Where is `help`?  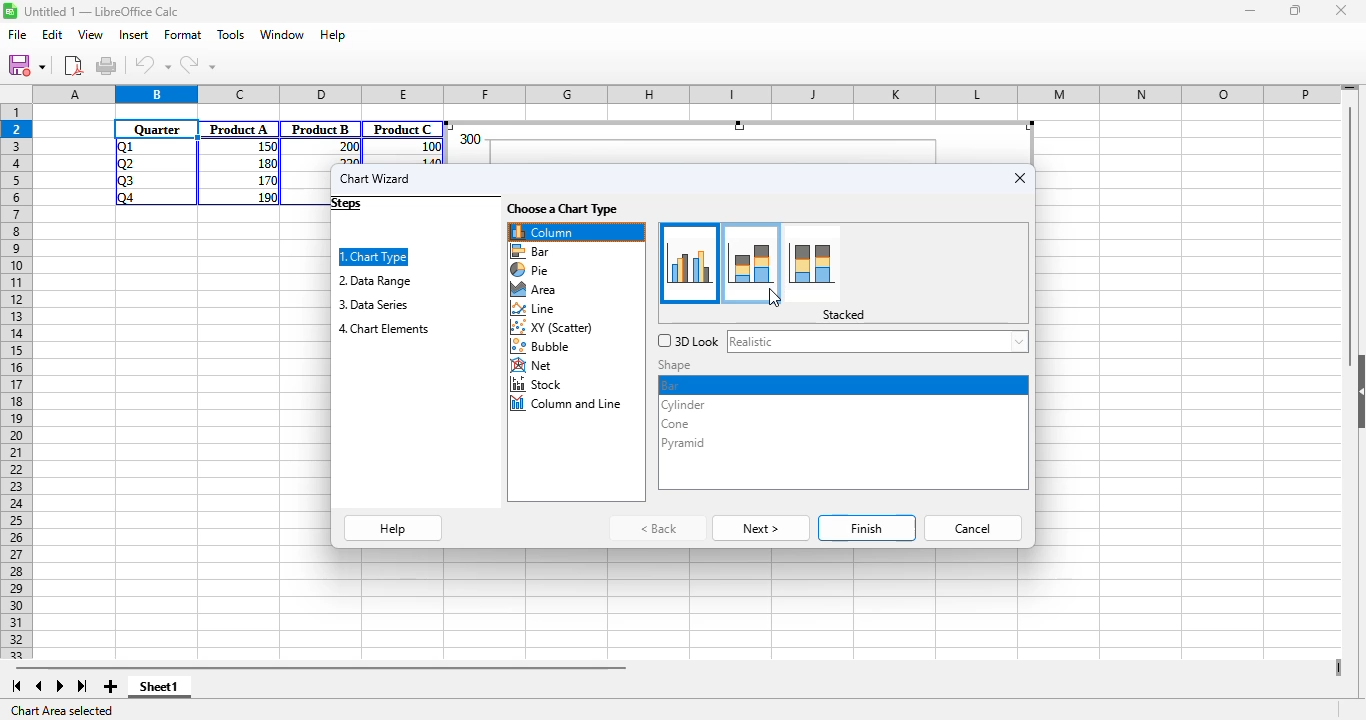
help is located at coordinates (394, 529).